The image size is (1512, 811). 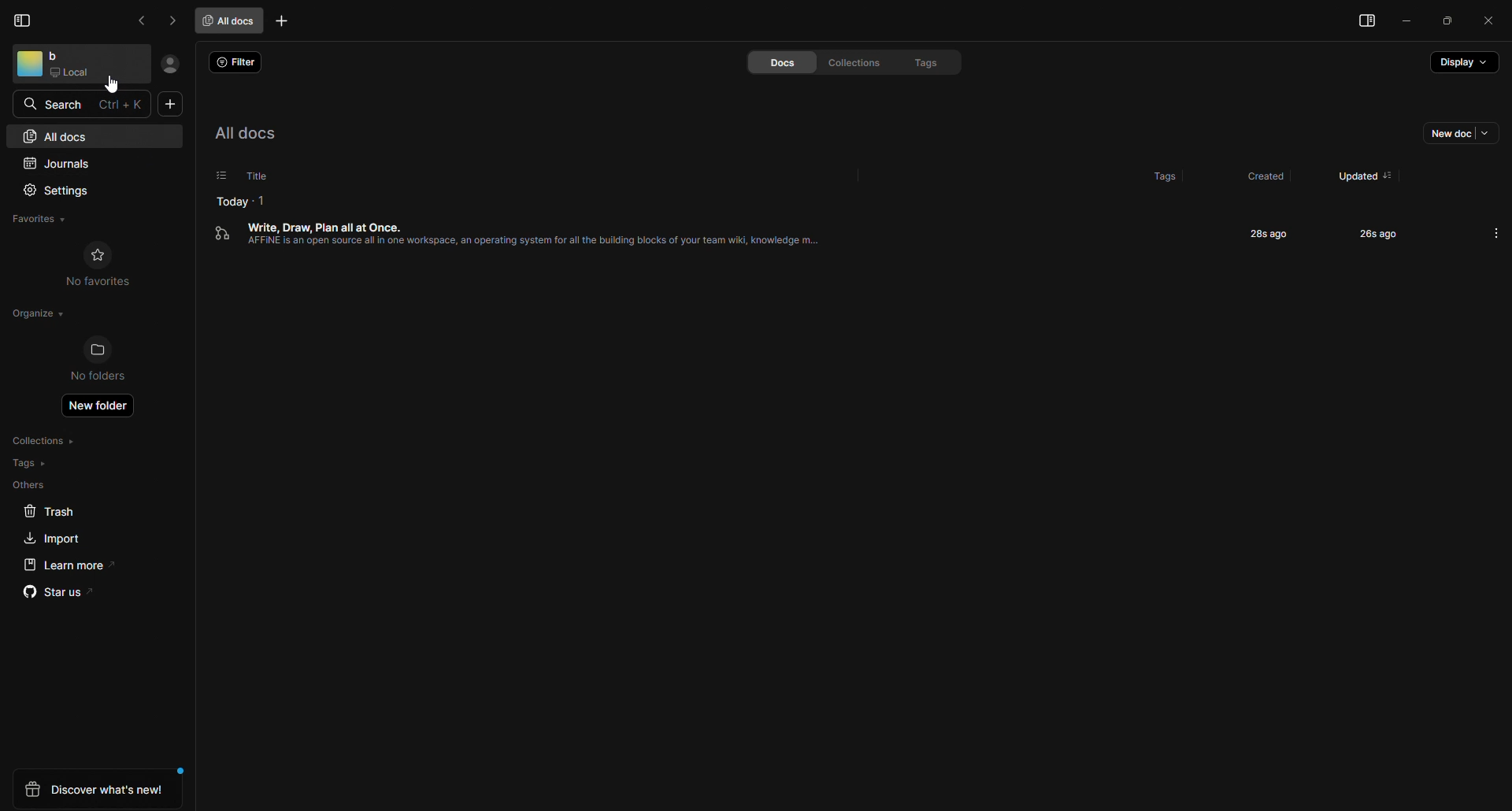 What do you see at coordinates (530, 245) in the screenshot?
I see `write draw pull` at bounding box center [530, 245].